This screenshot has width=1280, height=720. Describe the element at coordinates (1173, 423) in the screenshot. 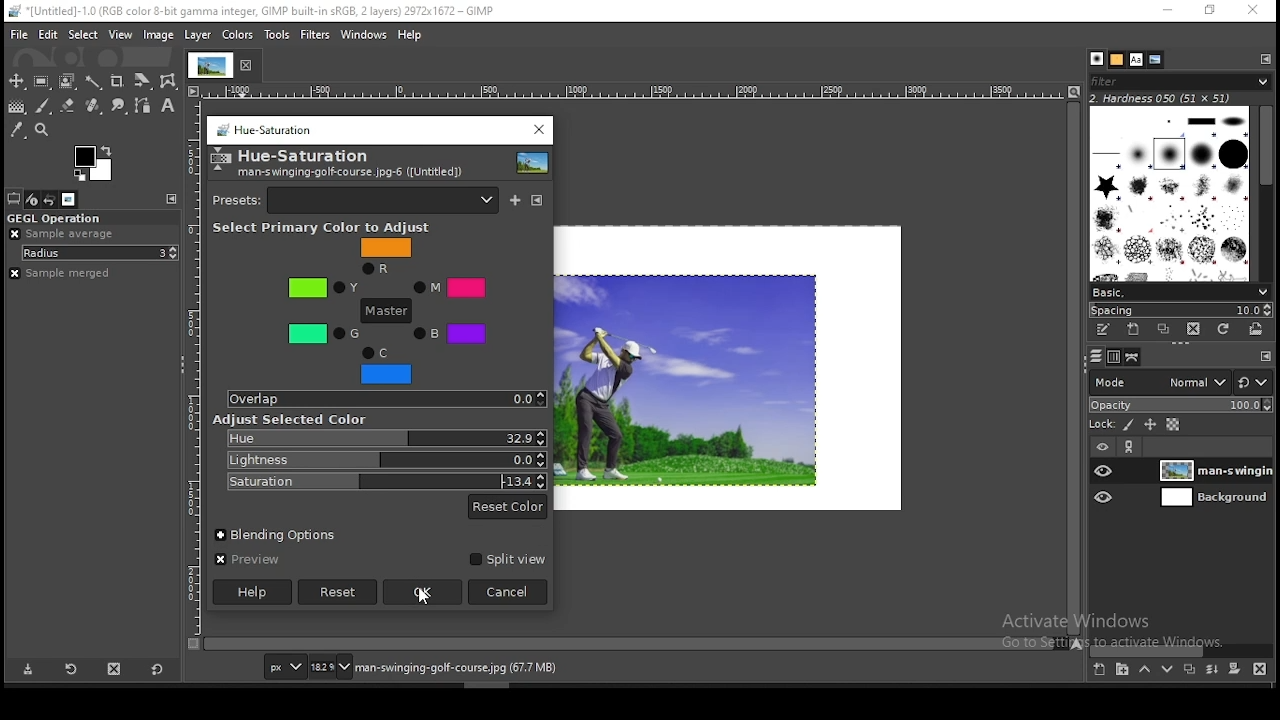

I see `lock alpha channel` at that location.